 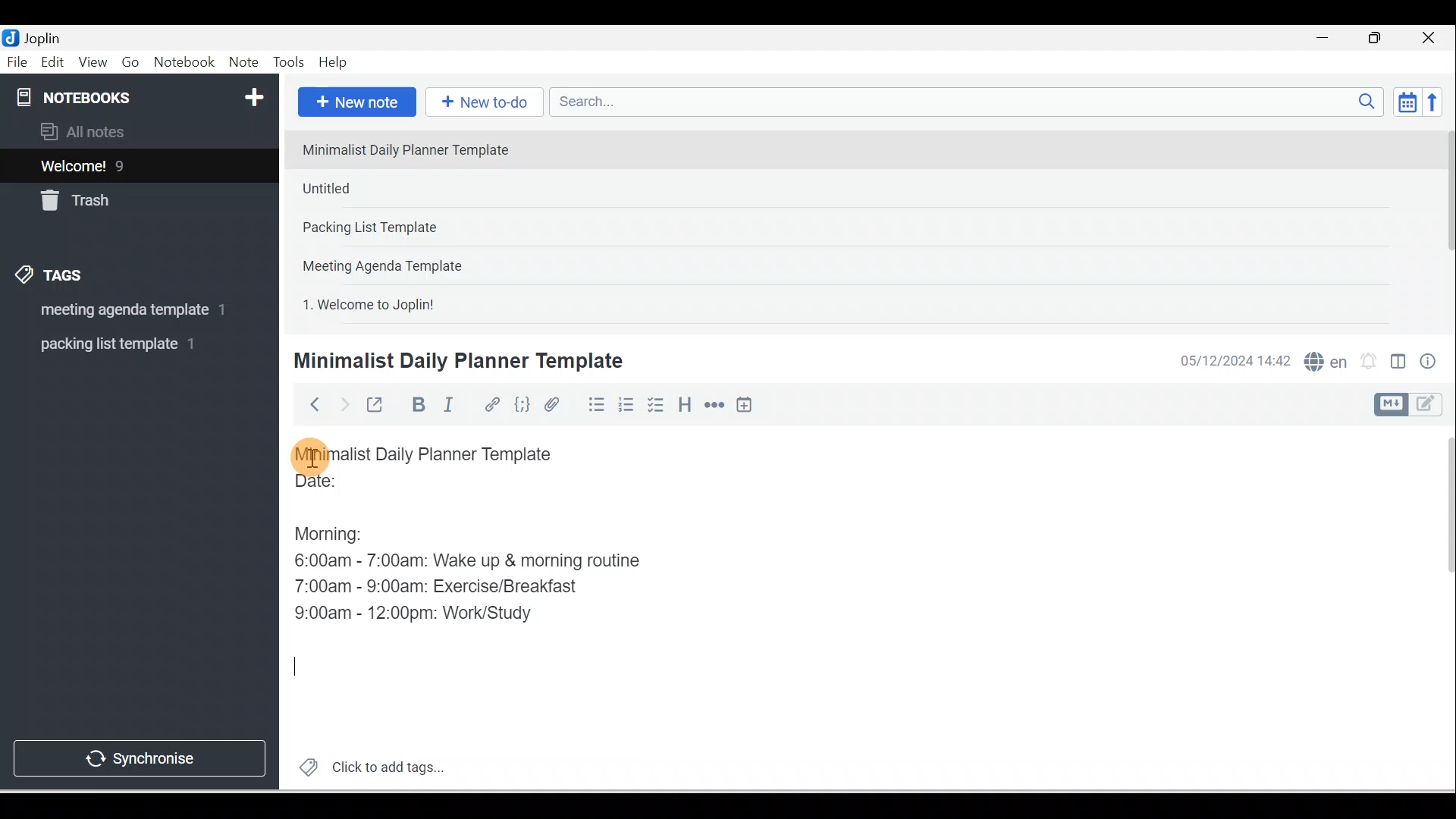 What do you see at coordinates (684, 403) in the screenshot?
I see `Heading` at bounding box center [684, 403].